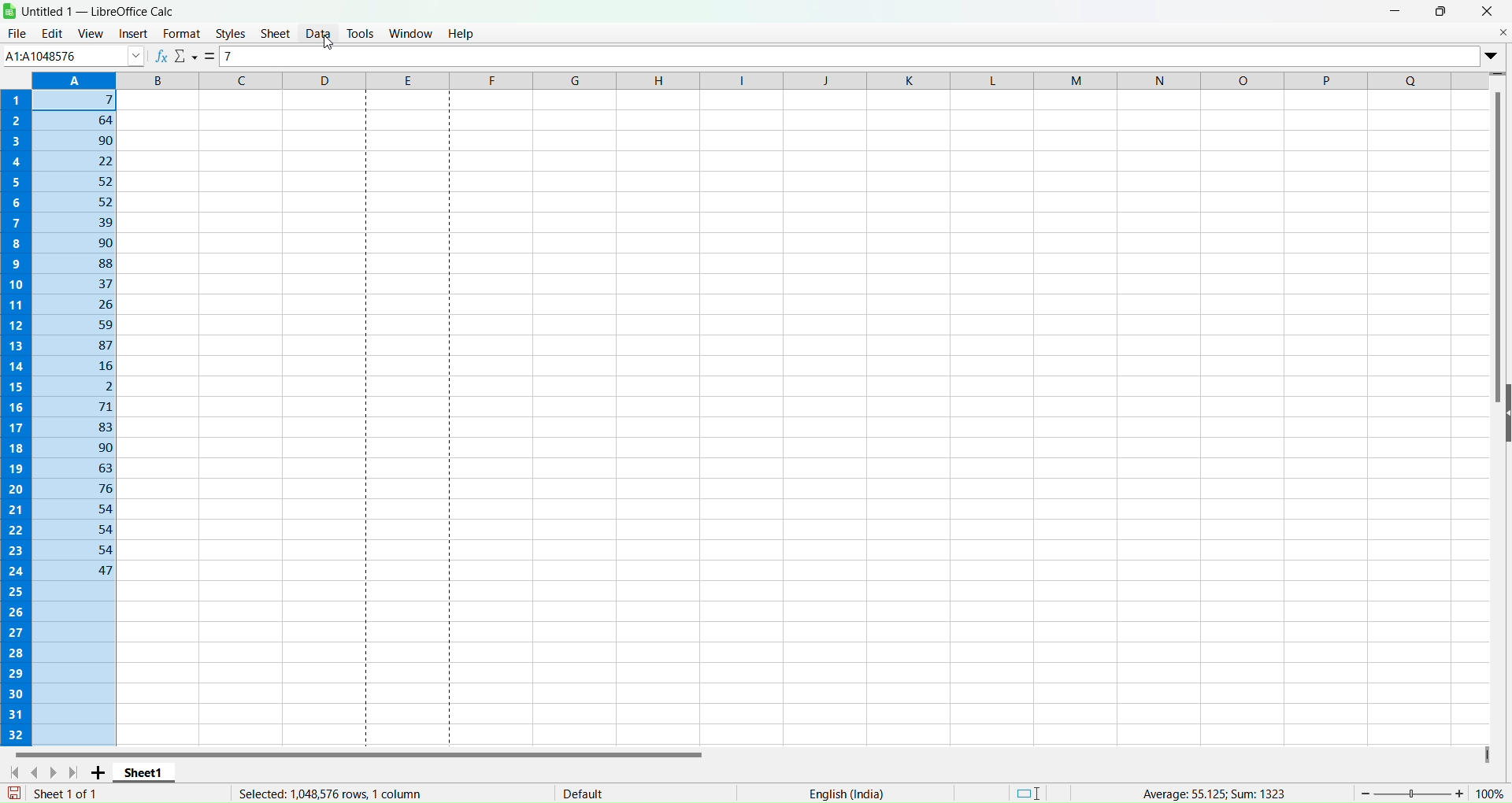 The height and width of the screenshot is (803, 1512). Describe the element at coordinates (187, 57) in the screenshot. I see `Select Function` at that location.